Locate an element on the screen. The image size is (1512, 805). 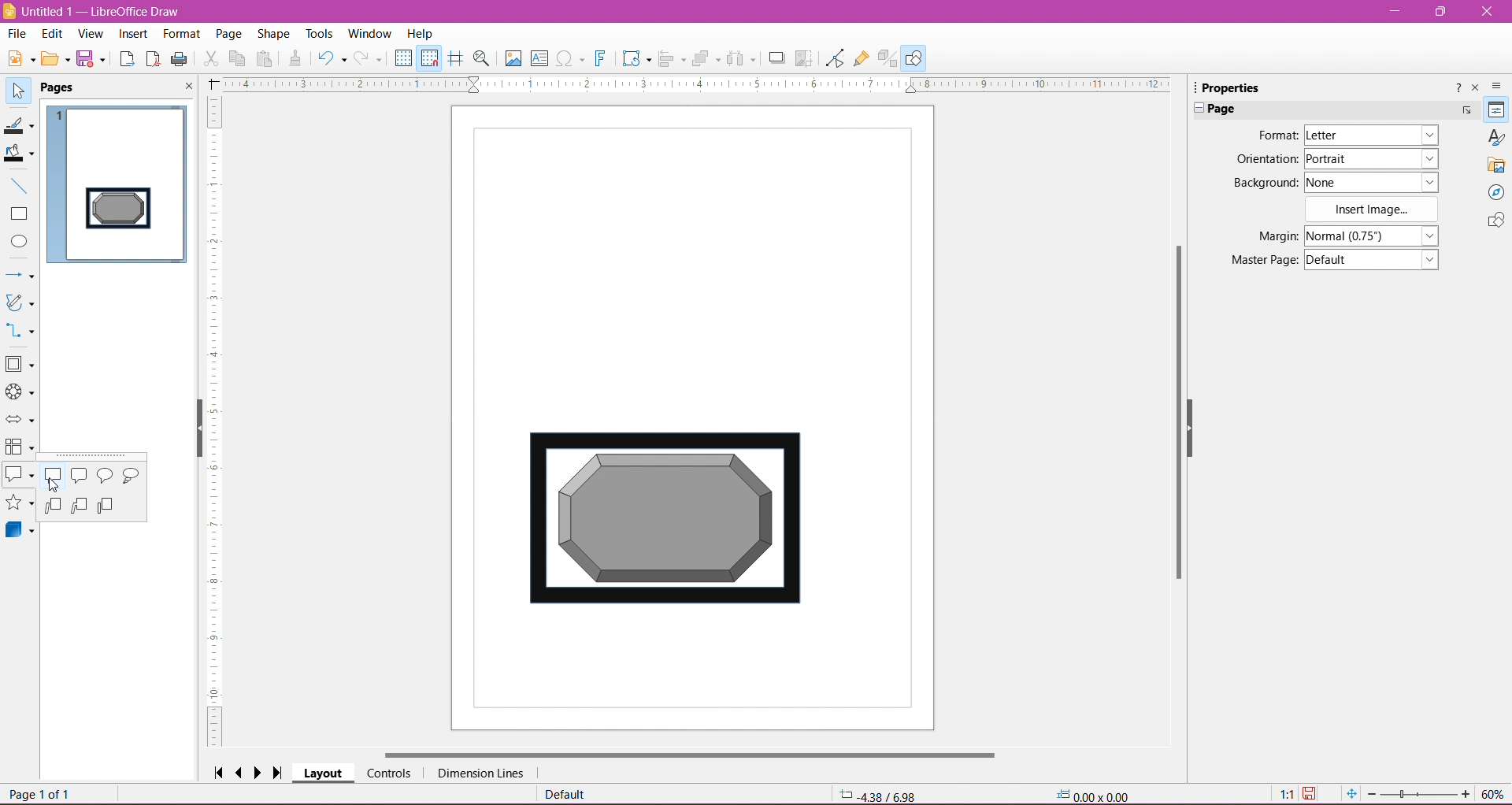
Application Logo is located at coordinates (9, 10).